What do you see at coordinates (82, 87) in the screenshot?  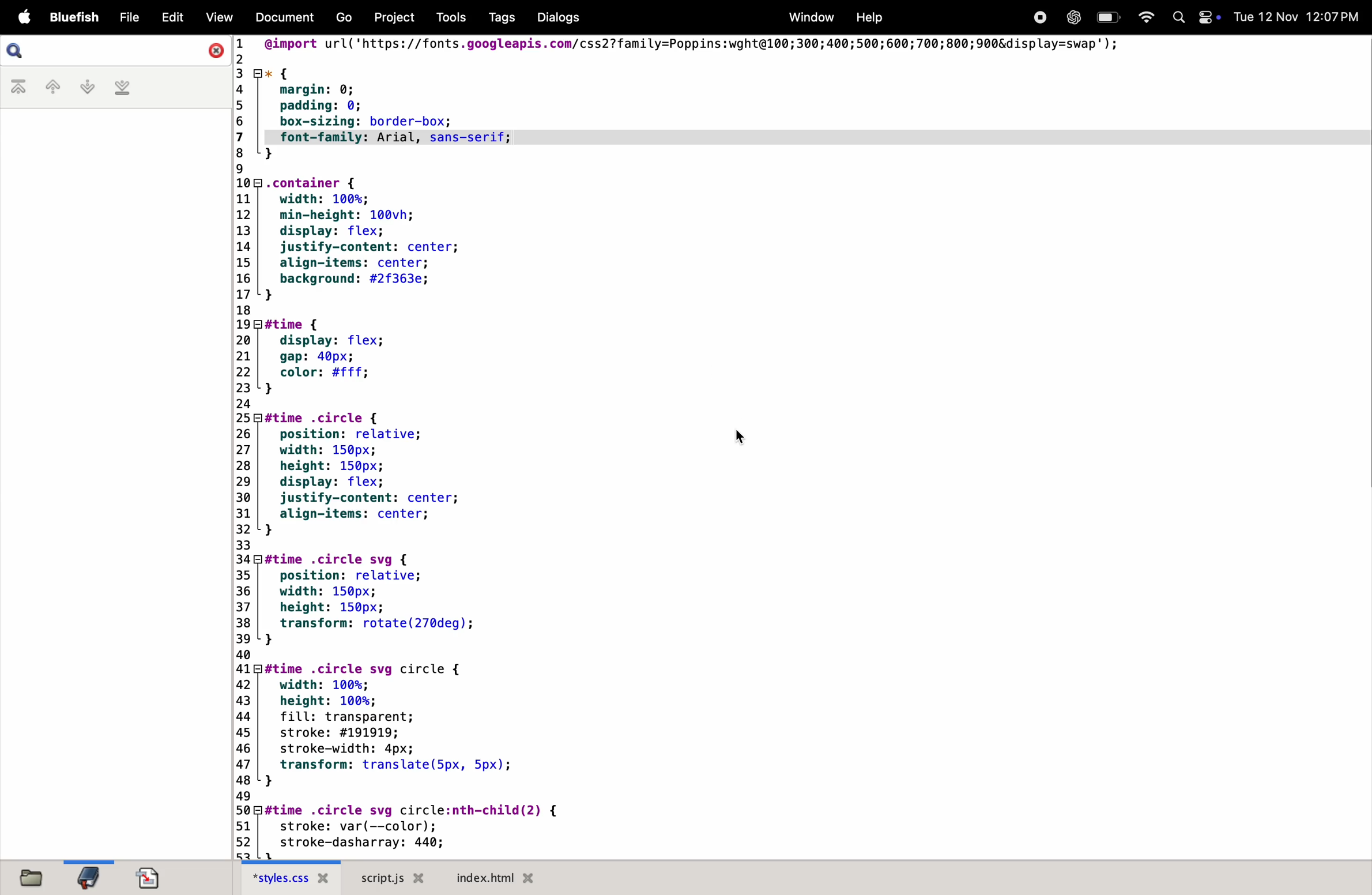 I see `next bookmark` at bounding box center [82, 87].